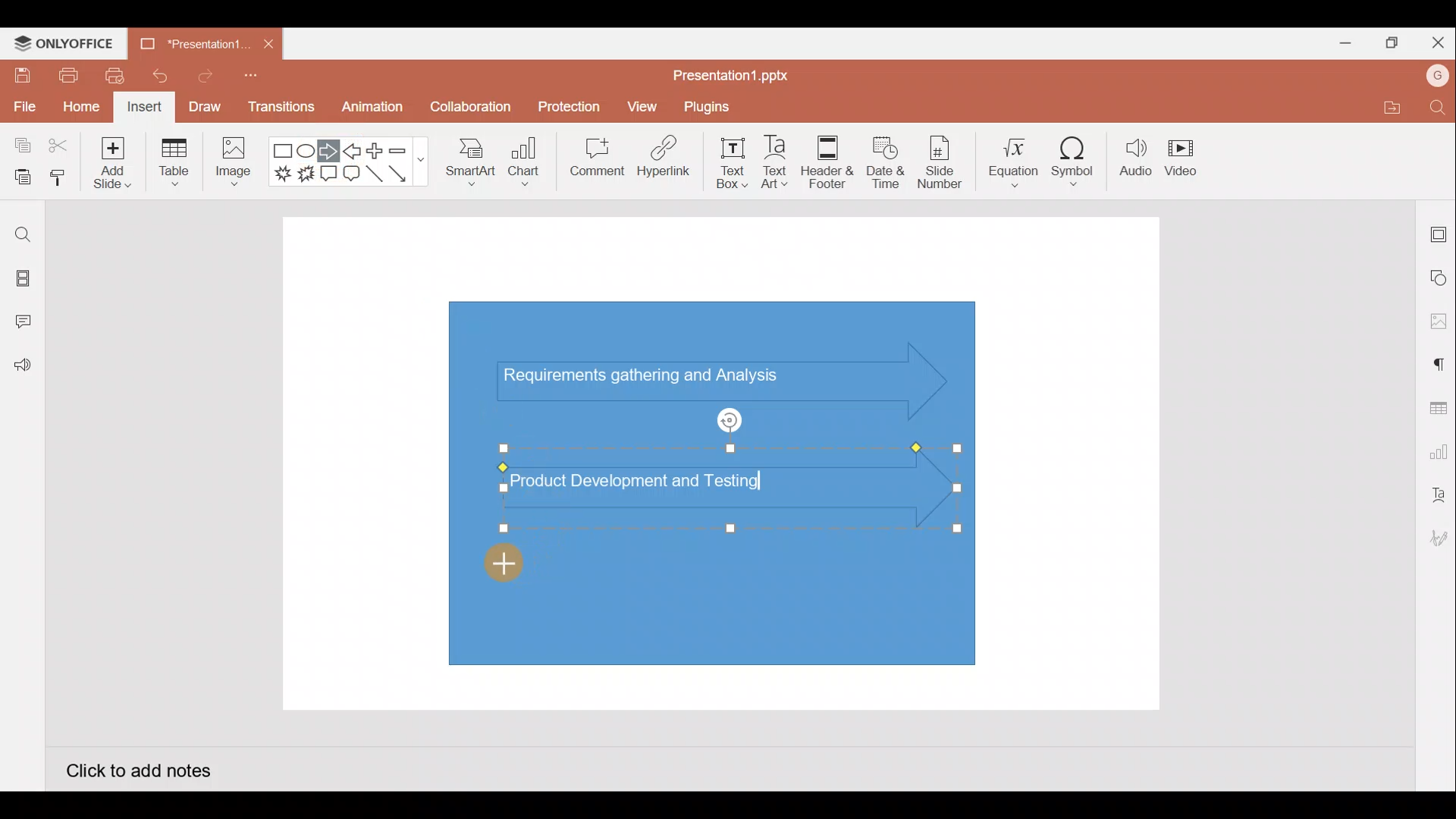  What do you see at coordinates (1438, 76) in the screenshot?
I see `Account name` at bounding box center [1438, 76].